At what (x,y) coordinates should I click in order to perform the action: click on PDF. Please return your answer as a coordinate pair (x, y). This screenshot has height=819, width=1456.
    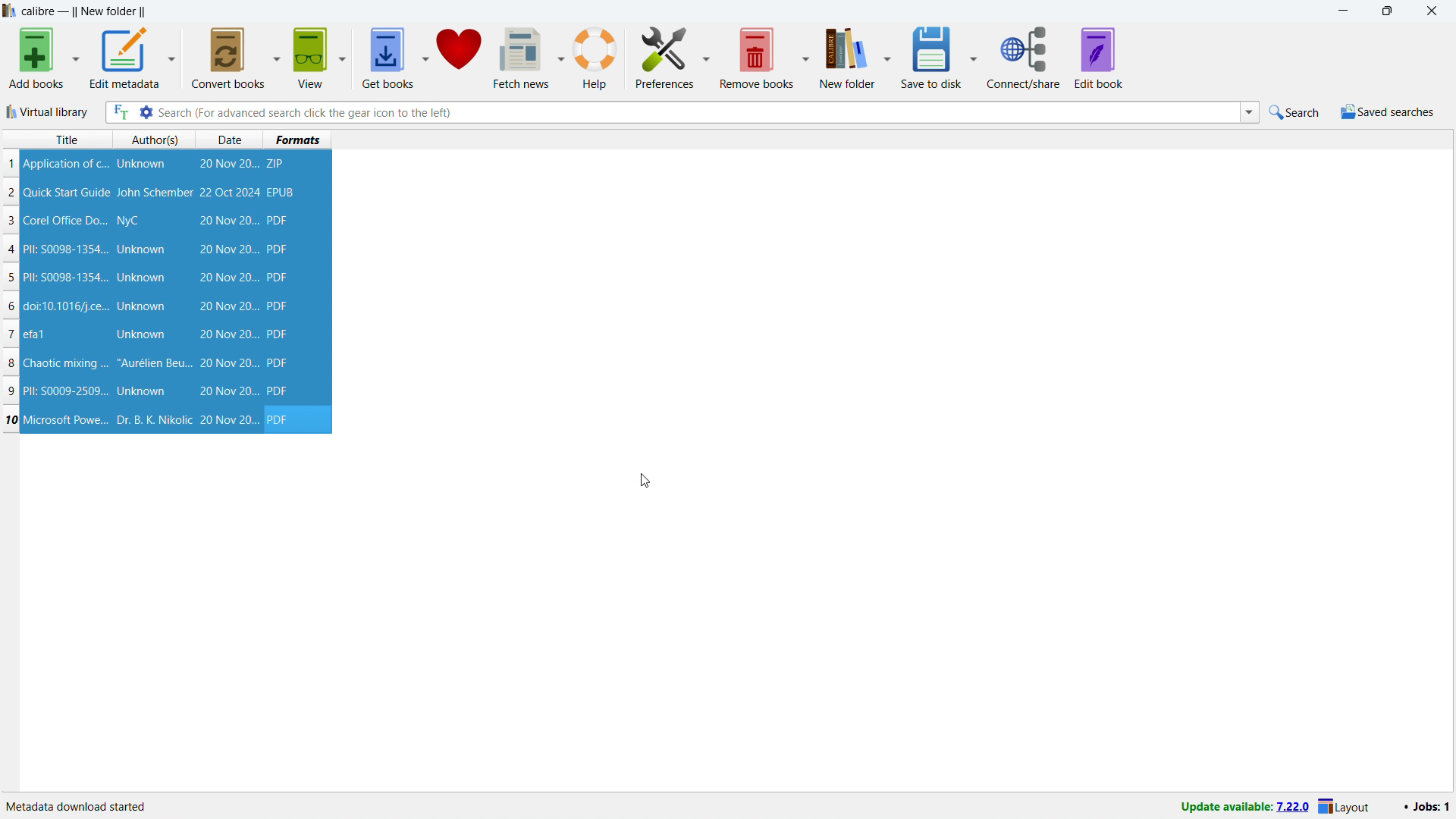
    Looking at the image, I should click on (277, 277).